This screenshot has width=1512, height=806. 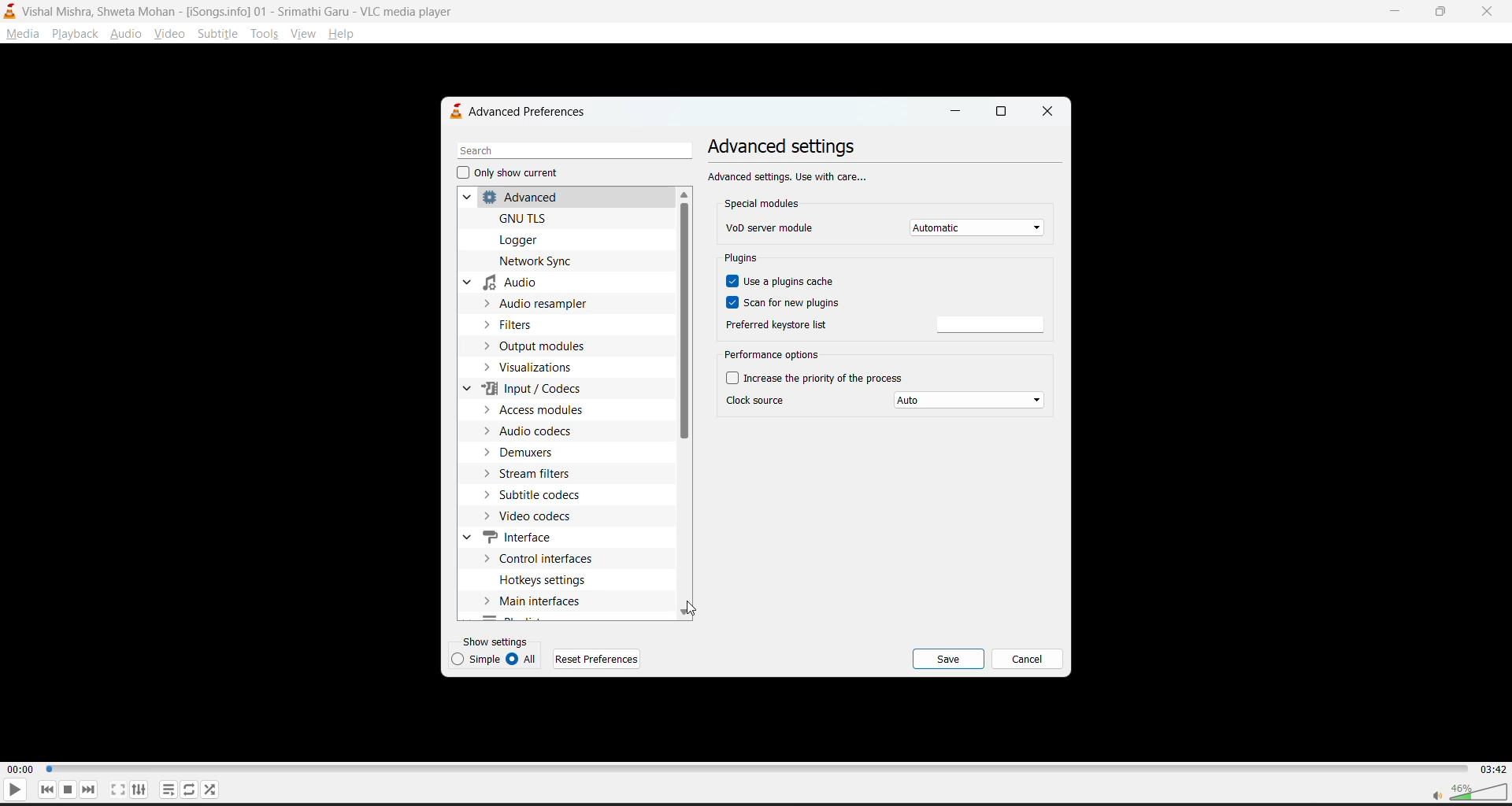 What do you see at coordinates (261, 35) in the screenshot?
I see `tools` at bounding box center [261, 35].